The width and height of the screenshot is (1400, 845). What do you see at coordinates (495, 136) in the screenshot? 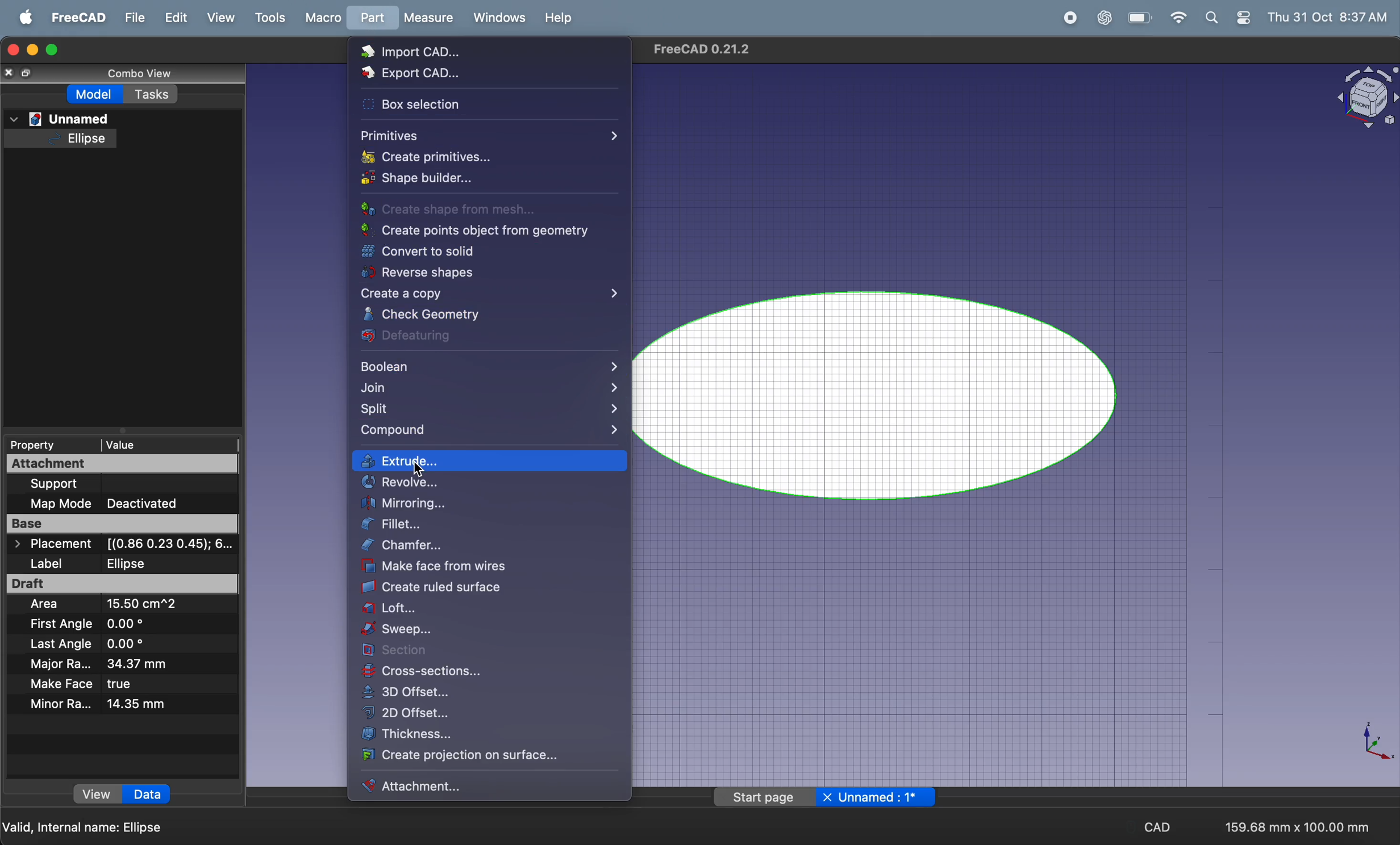
I see `primitives` at bounding box center [495, 136].